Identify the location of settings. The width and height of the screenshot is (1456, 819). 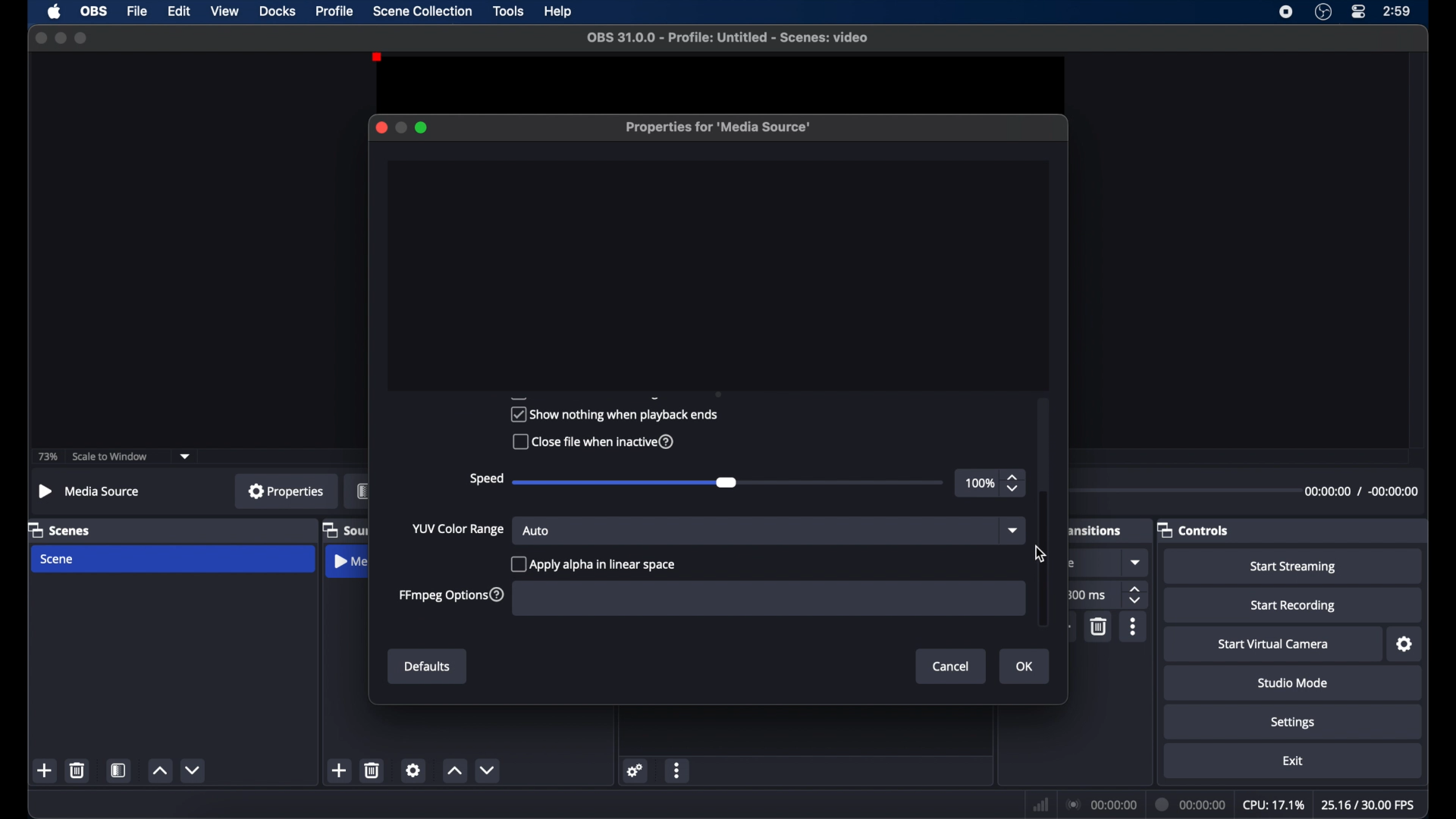
(1293, 723).